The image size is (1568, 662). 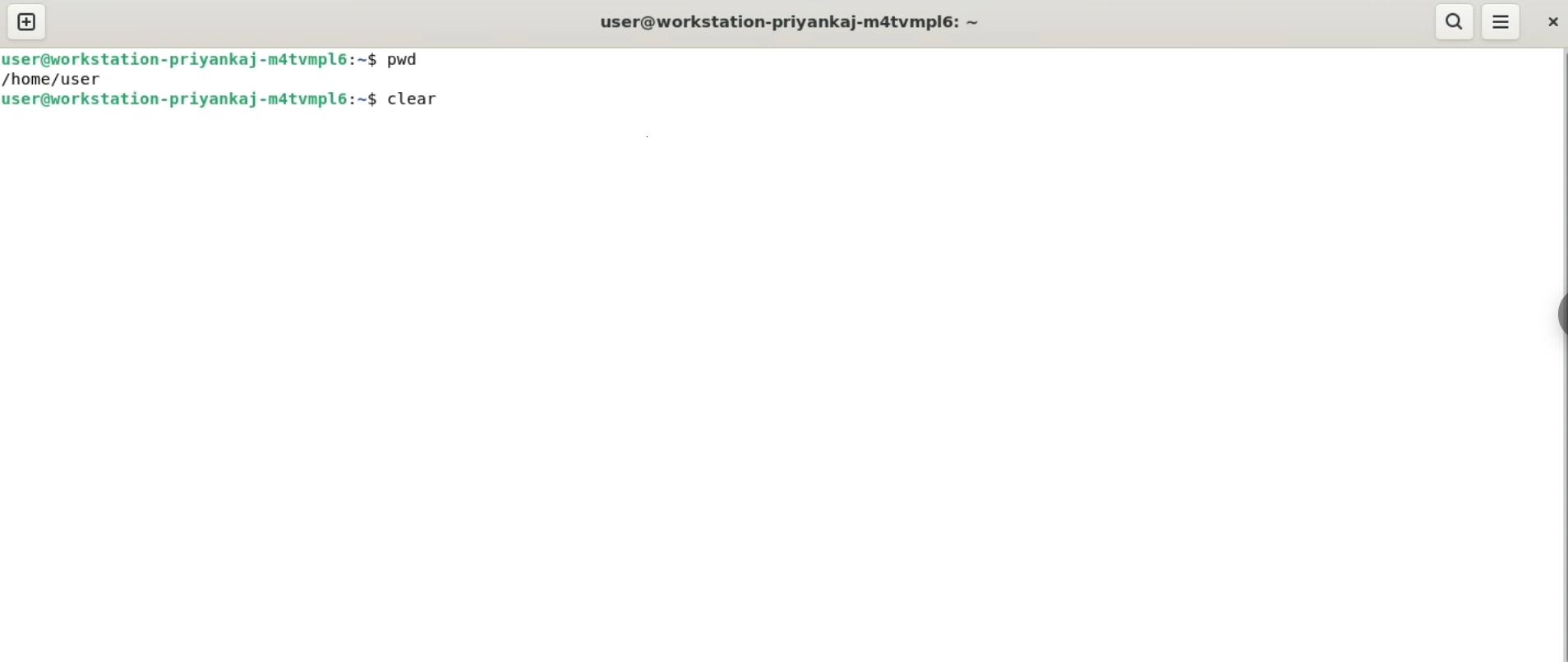 What do you see at coordinates (1454, 22) in the screenshot?
I see `search` at bounding box center [1454, 22].